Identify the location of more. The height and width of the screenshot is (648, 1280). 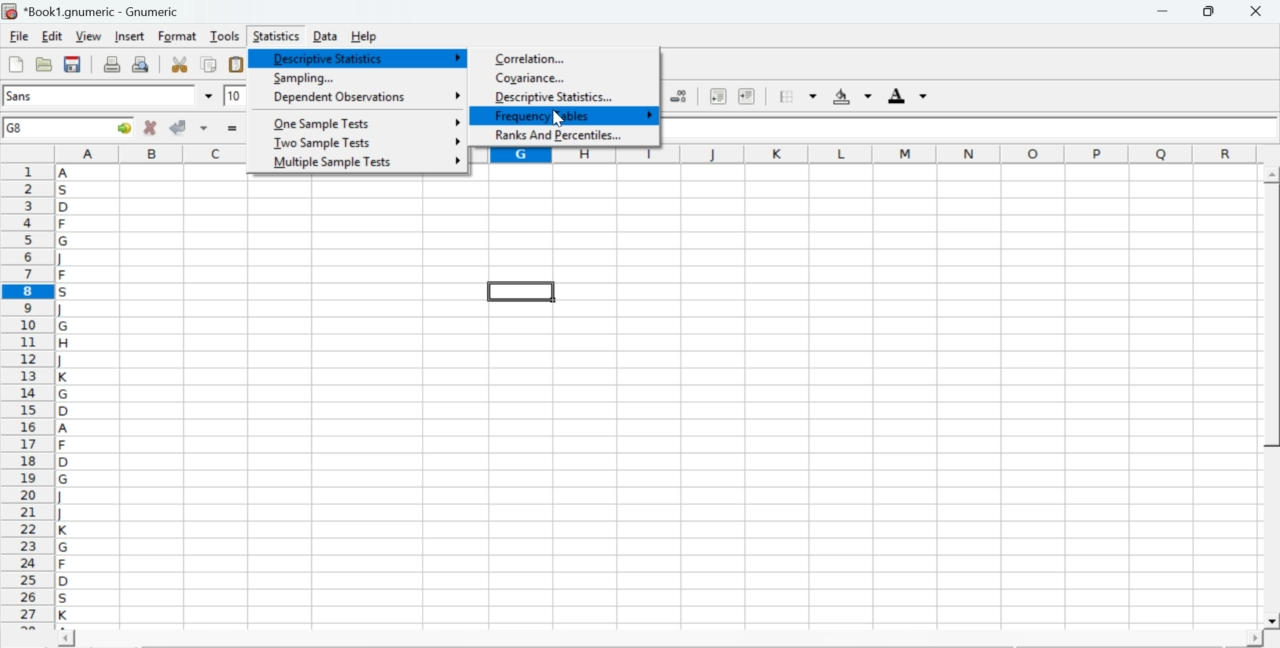
(455, 121).